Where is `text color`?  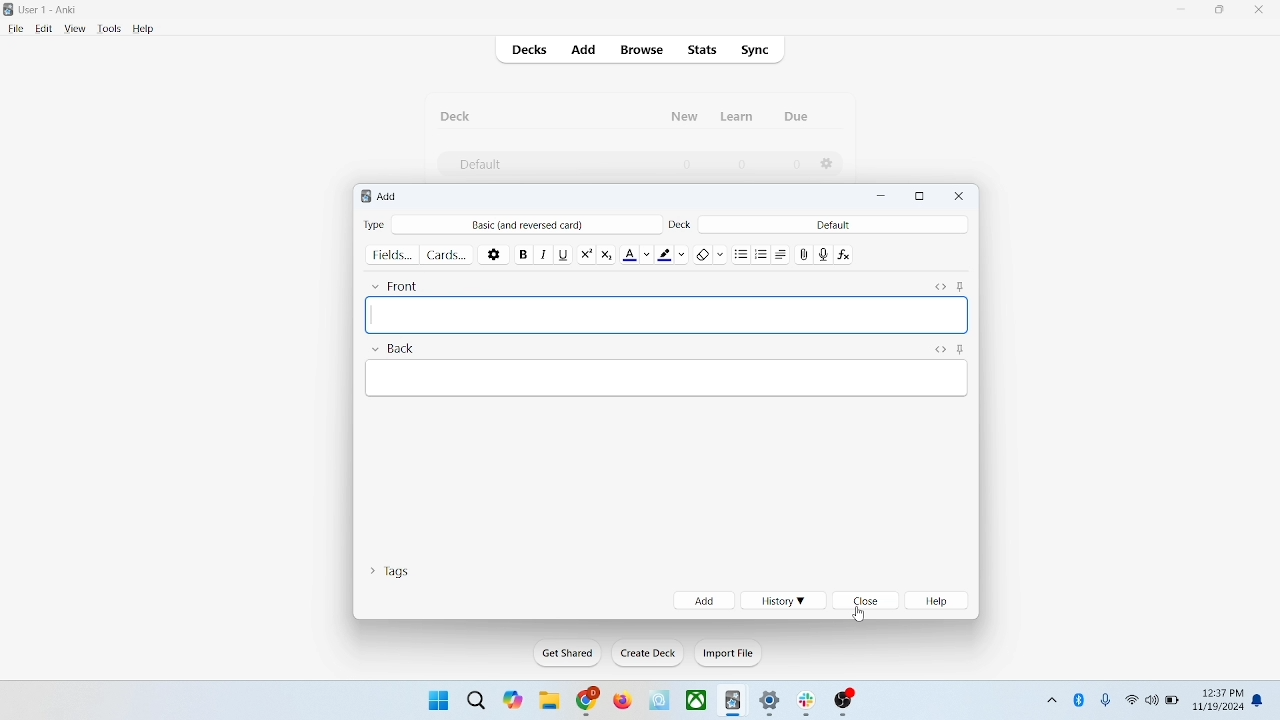 text color is located at coordinates (640, 253).